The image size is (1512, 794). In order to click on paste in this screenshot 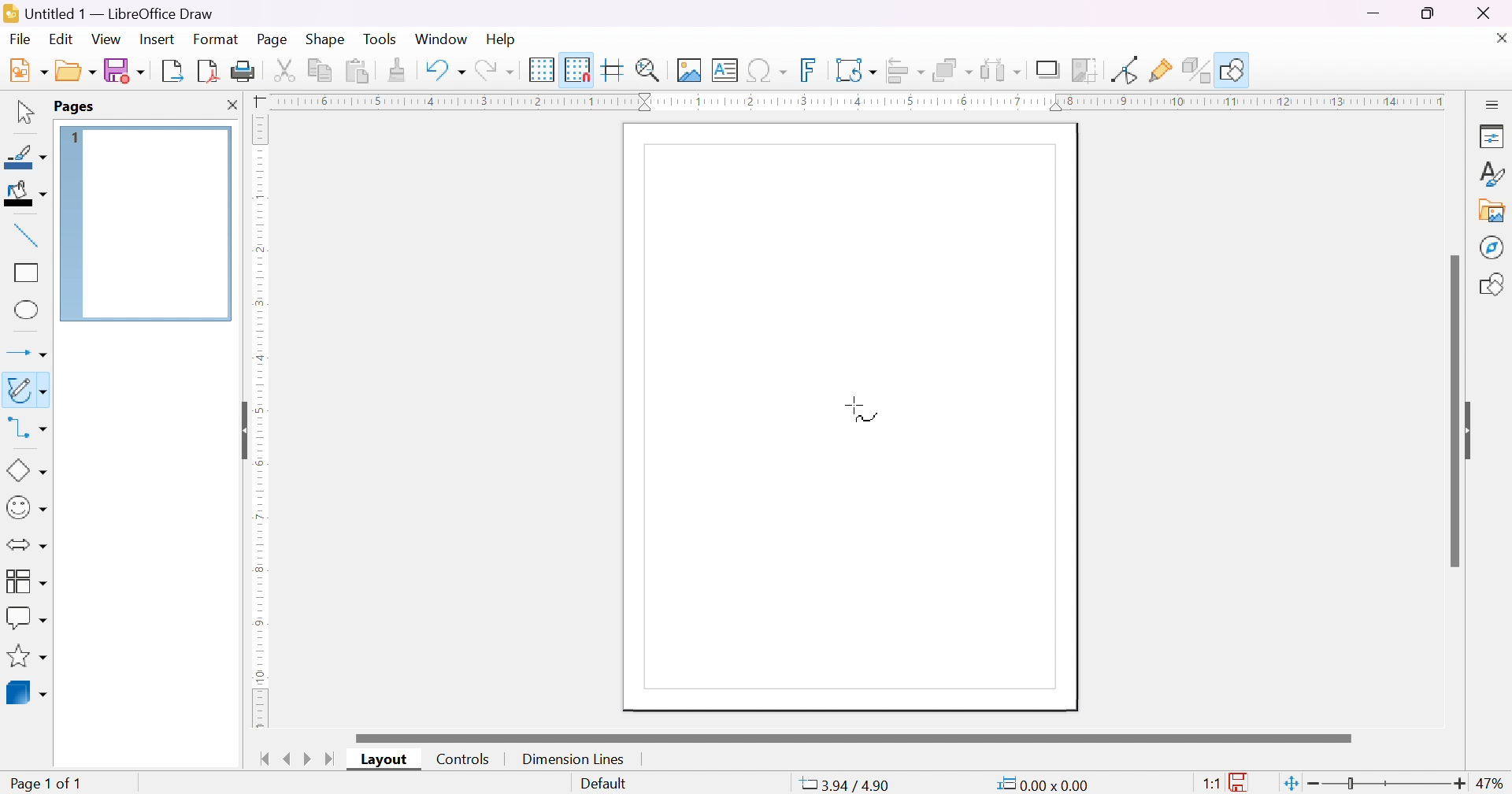, I will do `click(358, 72)`.